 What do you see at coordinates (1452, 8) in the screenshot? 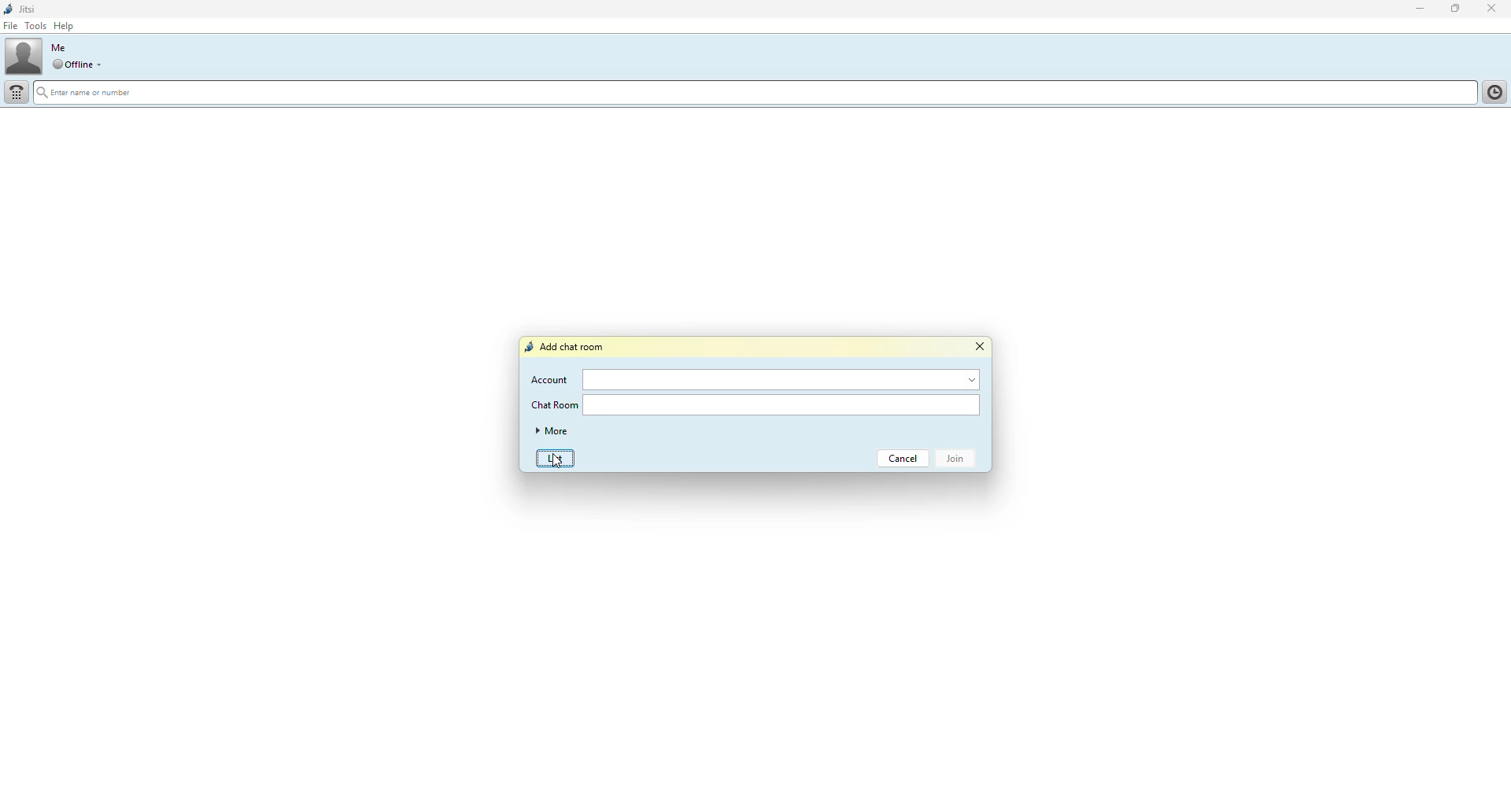
I see `maximize` at bounding box center [1452, 8].